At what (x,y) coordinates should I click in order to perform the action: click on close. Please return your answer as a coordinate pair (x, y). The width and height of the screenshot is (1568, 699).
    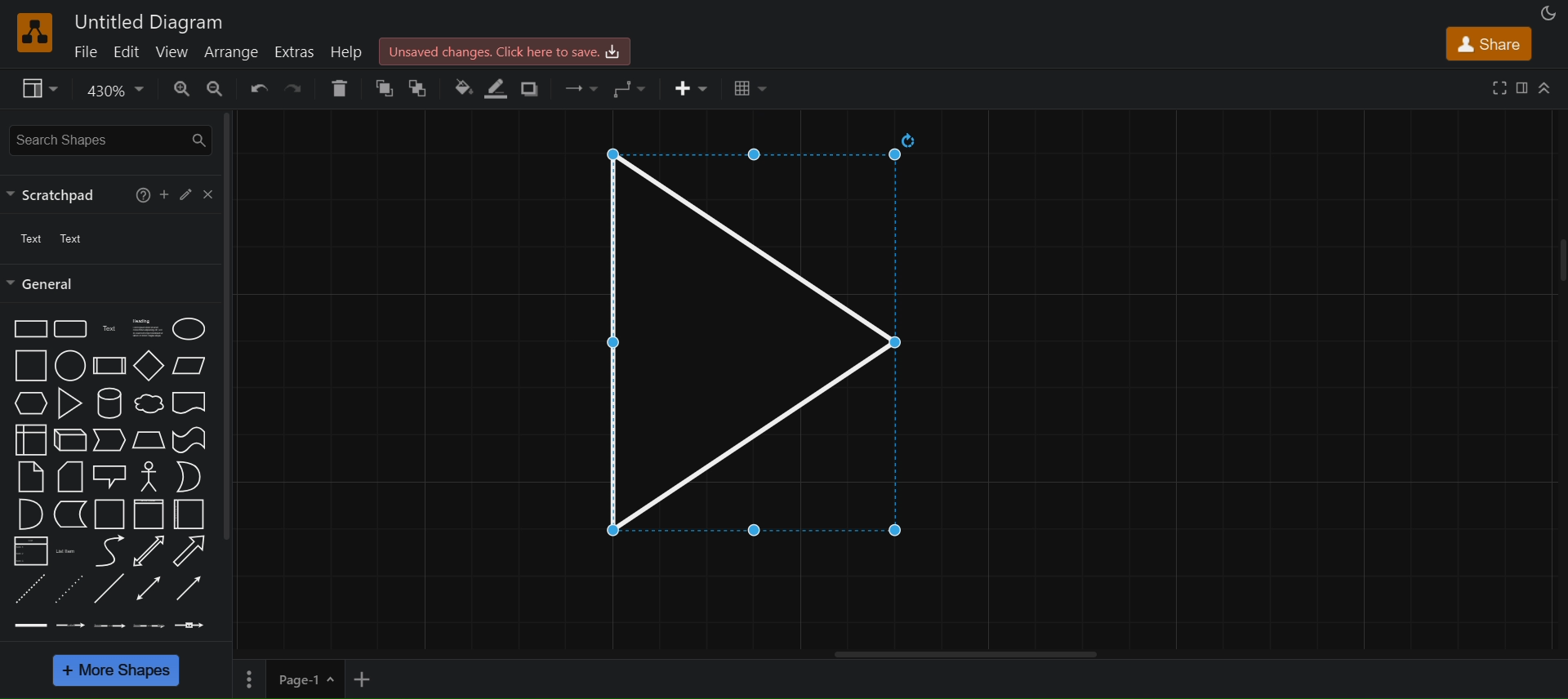
    Looking at the image, I should click on (207, 193).